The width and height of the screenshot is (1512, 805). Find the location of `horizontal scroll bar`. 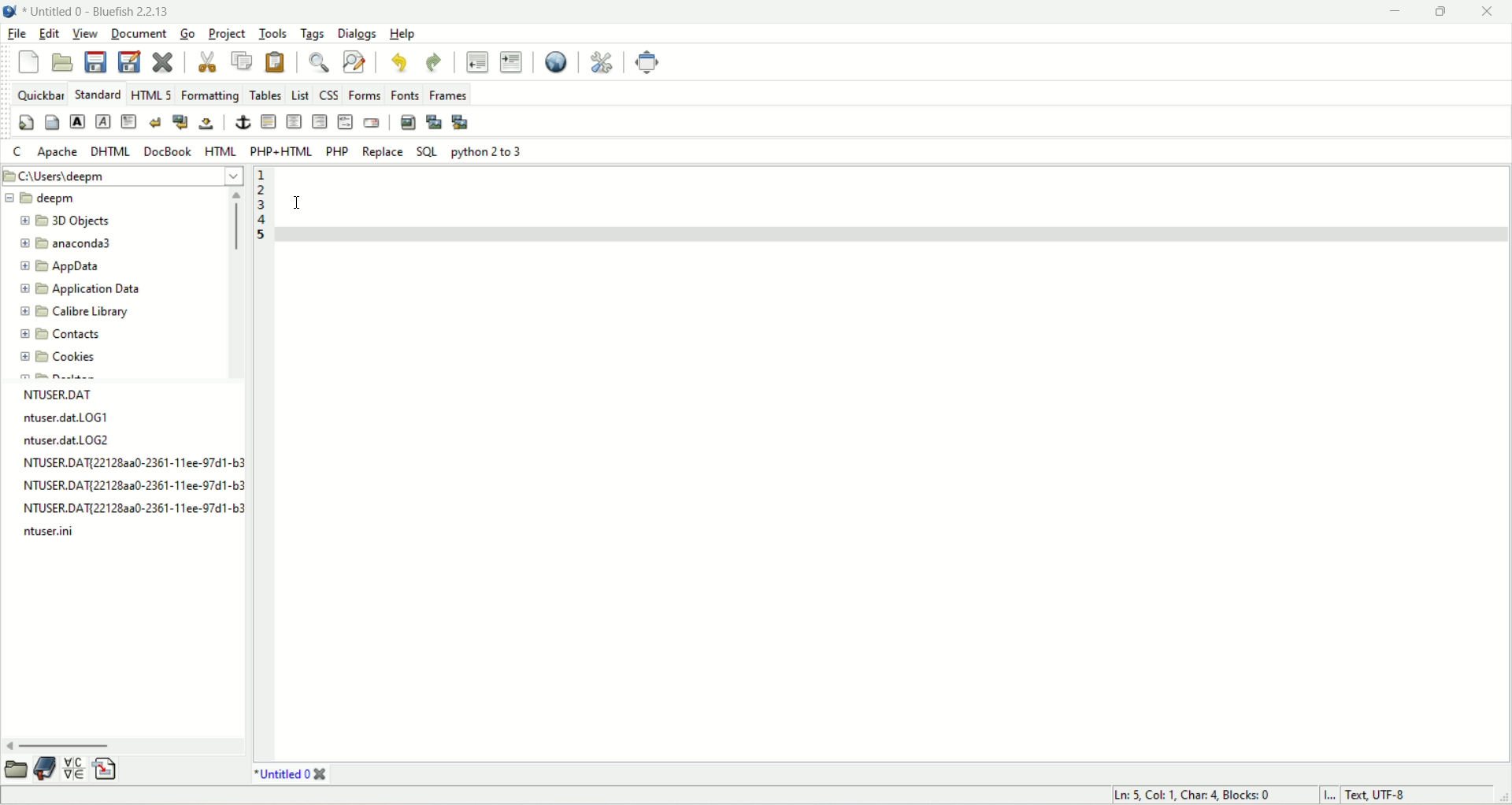

horizontal scroll bar is located at coordinates (126, 745).